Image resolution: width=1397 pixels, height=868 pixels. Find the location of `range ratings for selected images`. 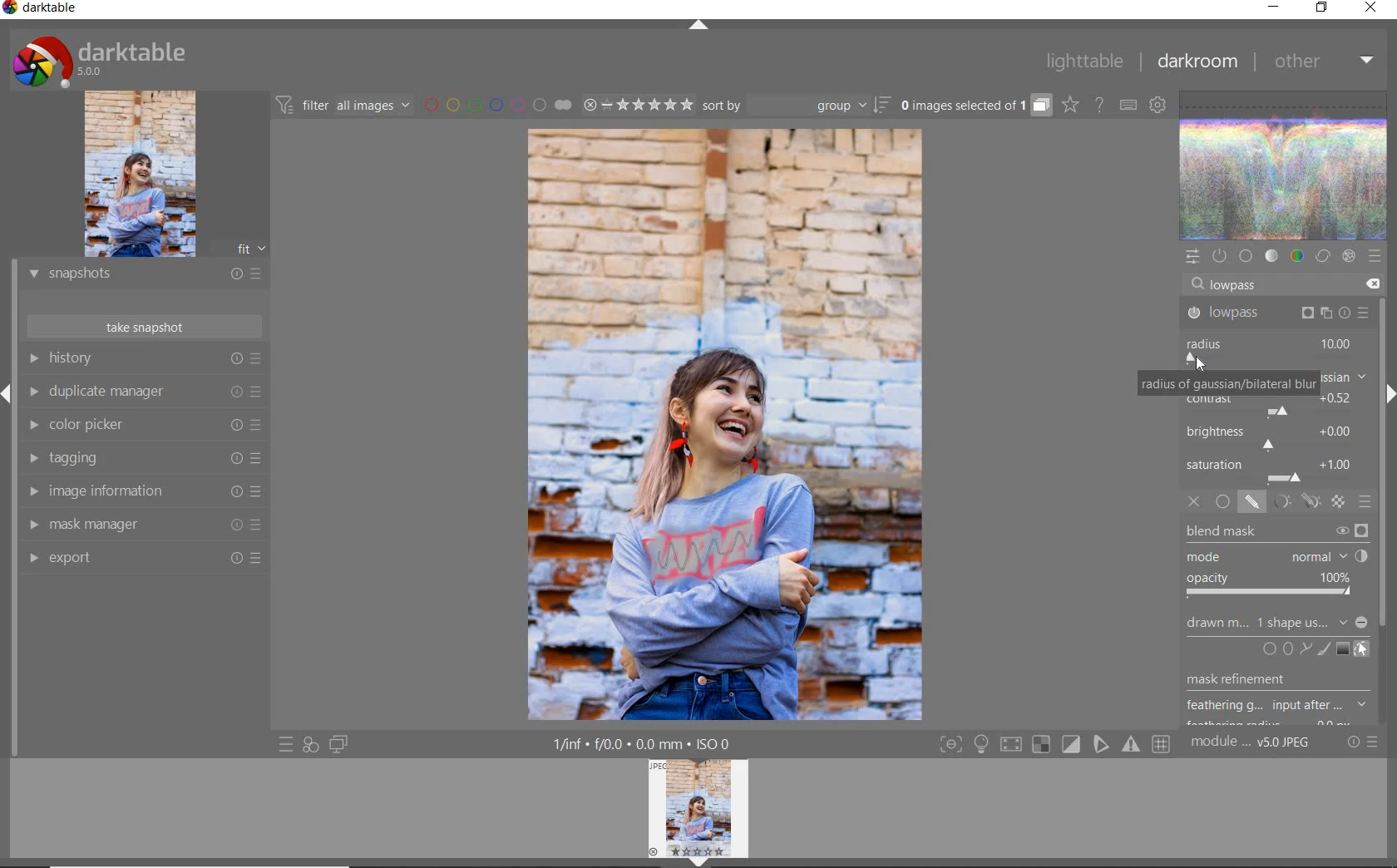

range ratings for selected images is located at coordinates (638, 104).